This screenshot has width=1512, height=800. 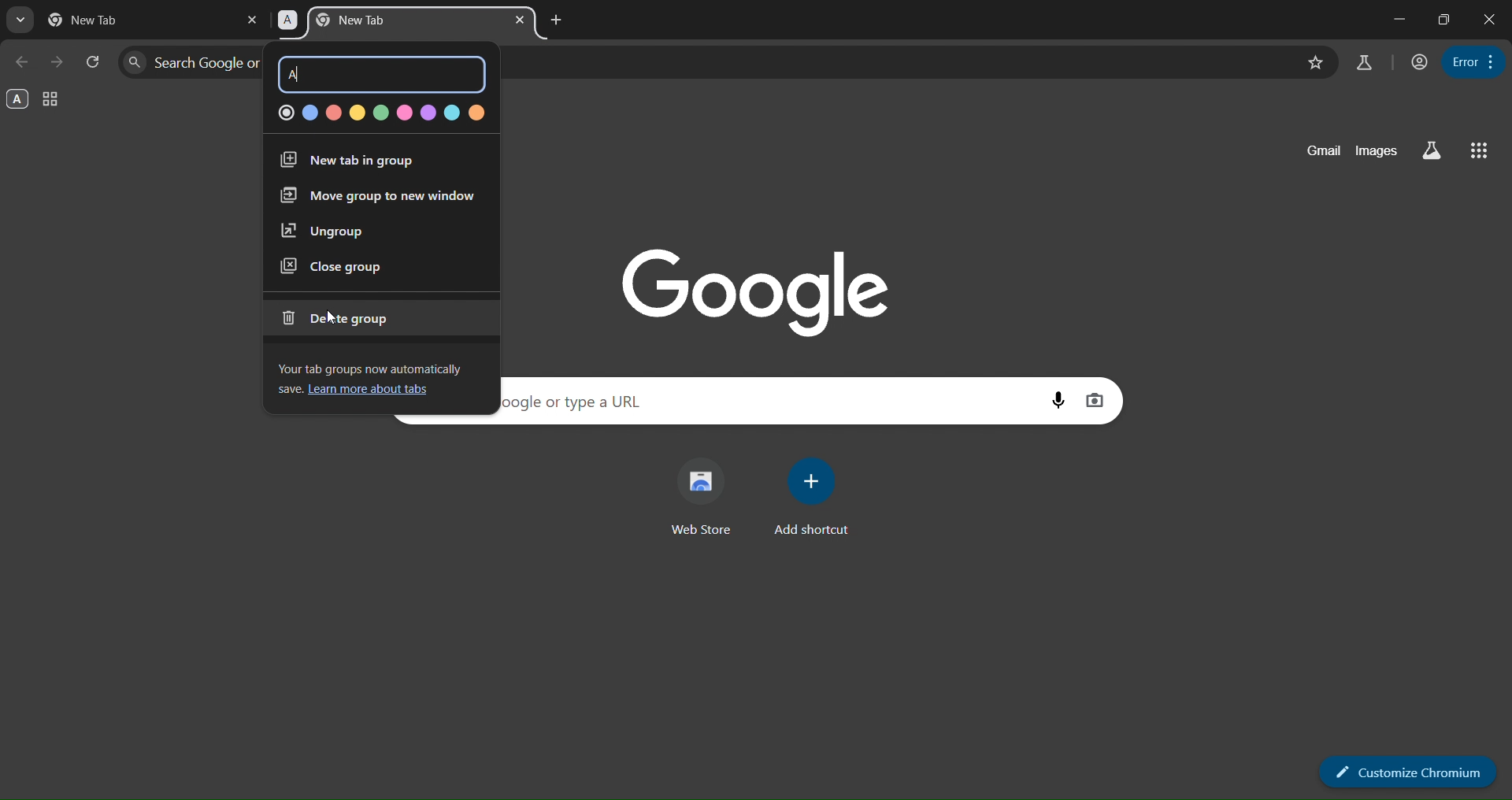 What do you see at coordinates (373, 391) in the screenshot?
I see `Learn more about tabs.` at bounding box center [373, 391].